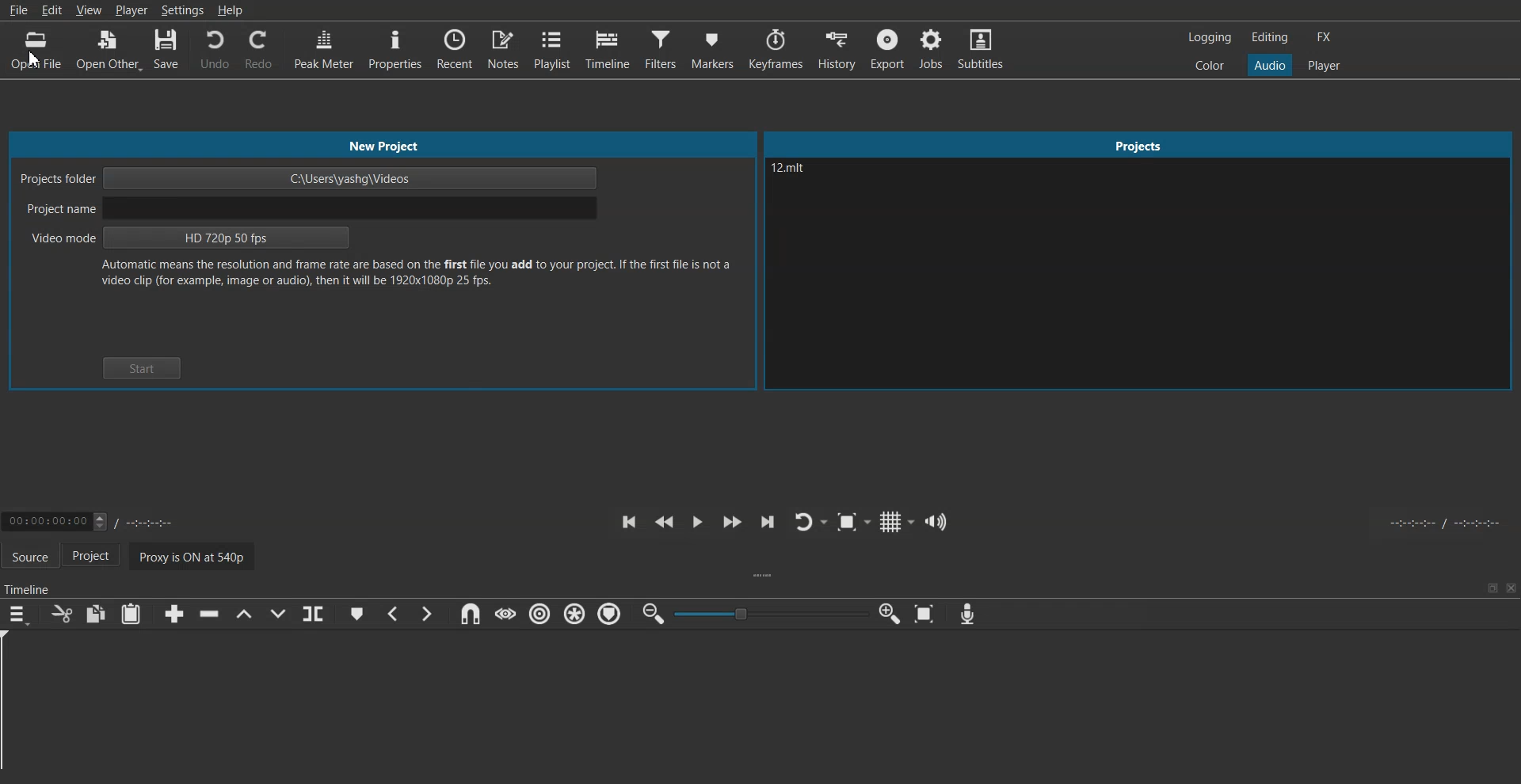 The height and width of the screenshot is (784, 1521). Describe the element at coordinates (663, 521) in the screenshot. I see `Play quickly backwards` at that location.